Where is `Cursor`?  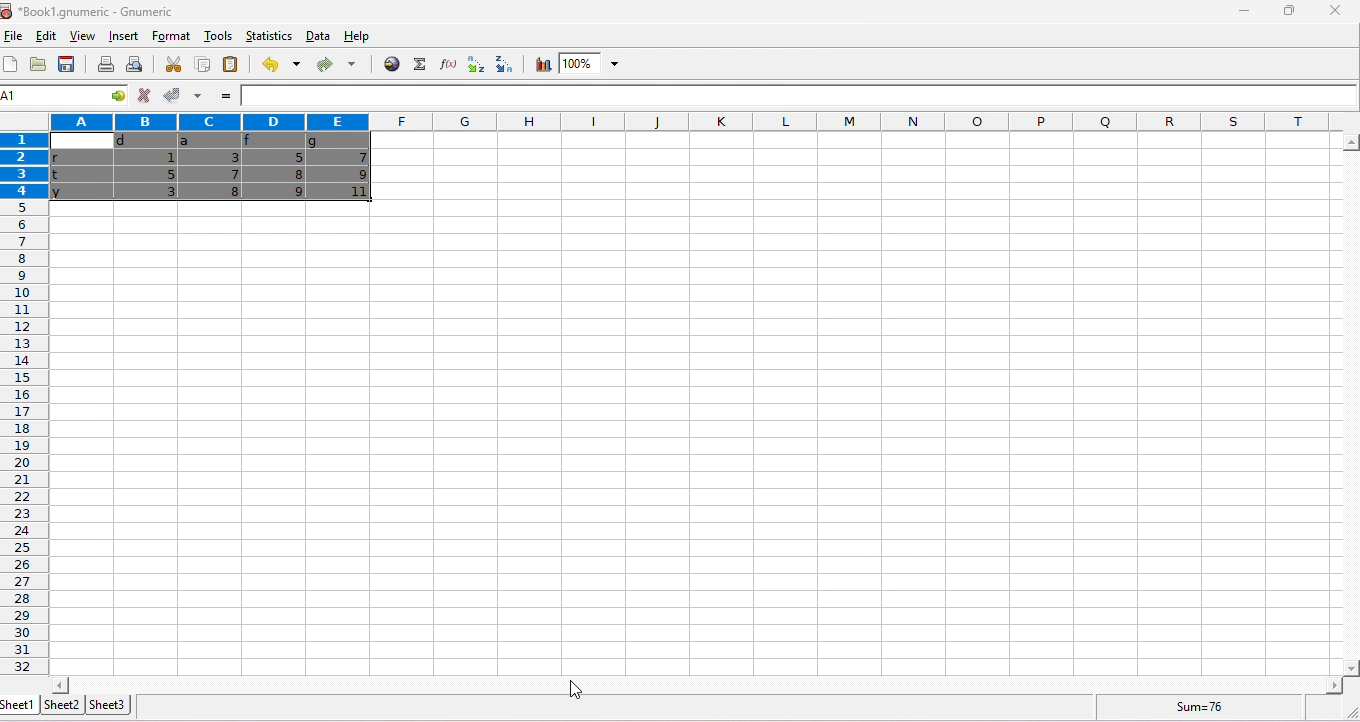 Cursor is located at coordinates (578, 692).